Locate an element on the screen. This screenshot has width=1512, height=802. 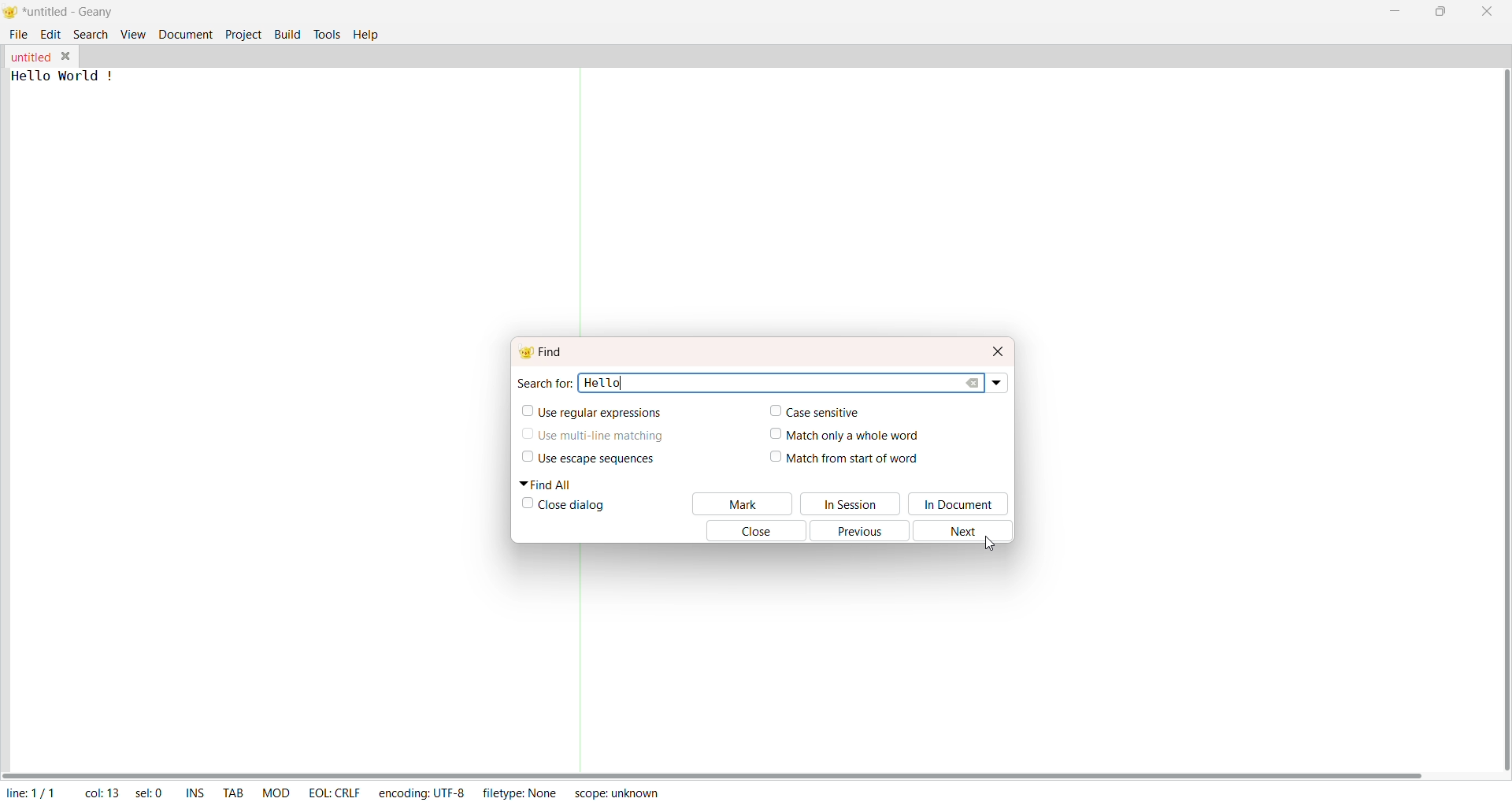
Horizontal Scroll Bar is located at coordinates (724, 770).